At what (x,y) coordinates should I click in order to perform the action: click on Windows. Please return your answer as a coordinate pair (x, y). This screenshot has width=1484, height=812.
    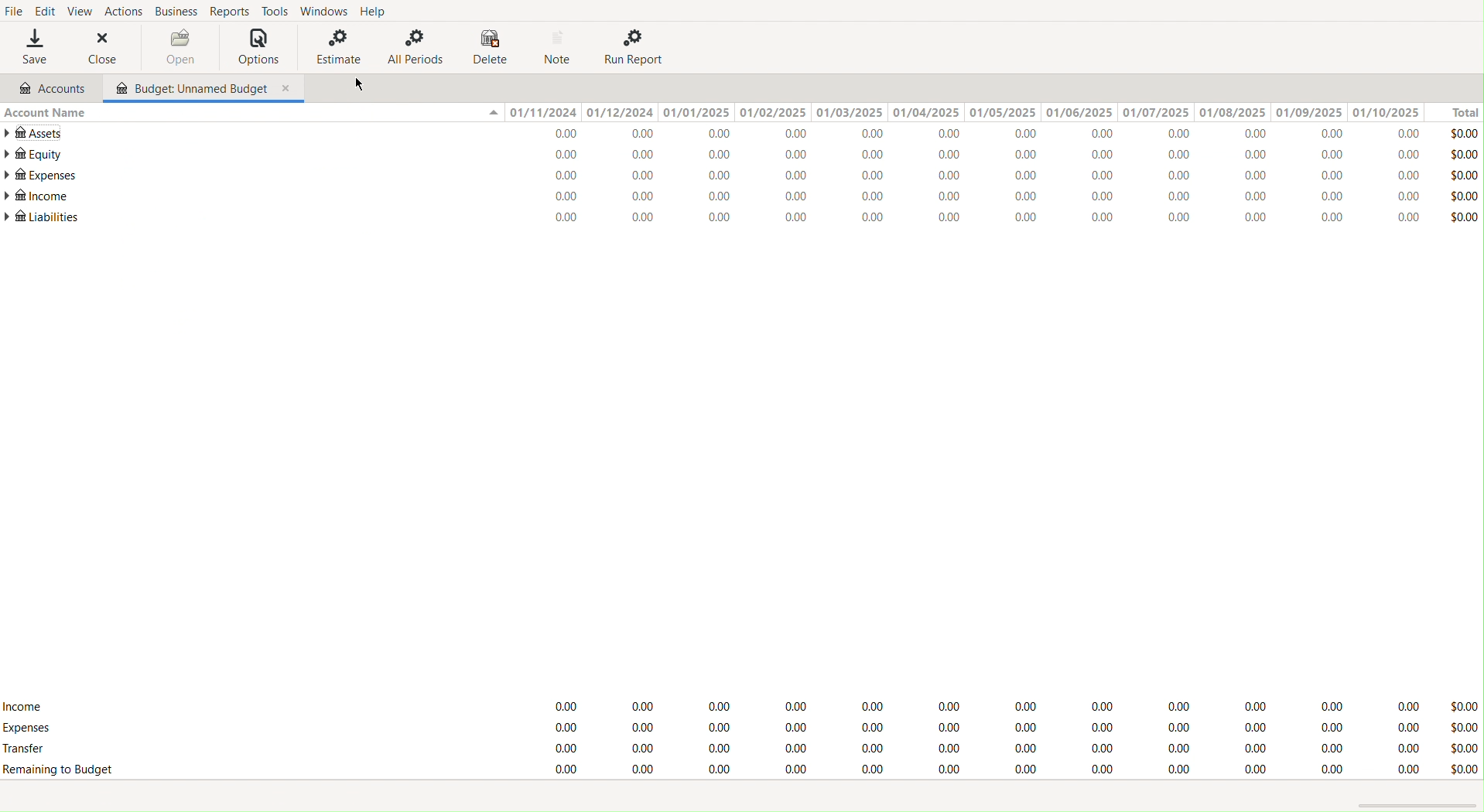
    Looking at the image, I should click on (326, 11).